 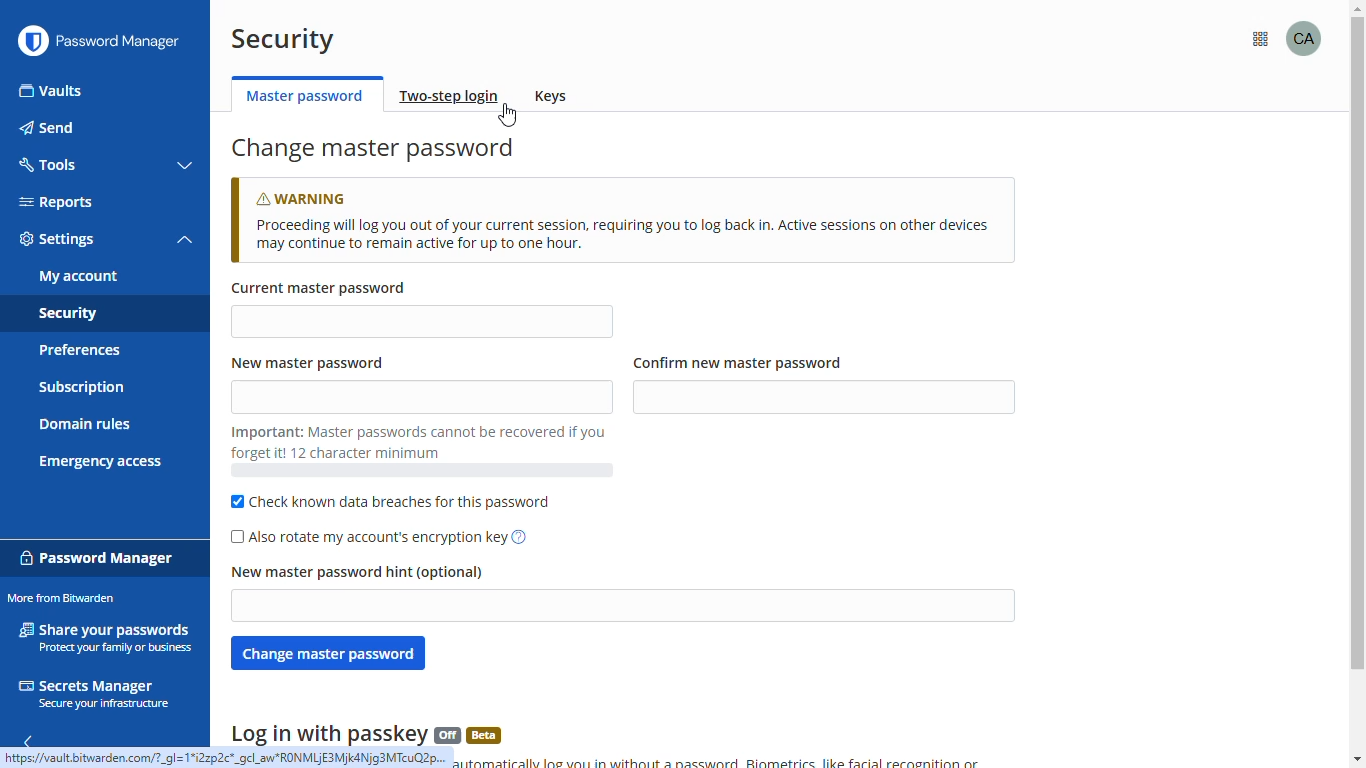 What do you see at coordinates (46, 163) in the screenshot?
I see `tools` at bounding box center [46, 163].